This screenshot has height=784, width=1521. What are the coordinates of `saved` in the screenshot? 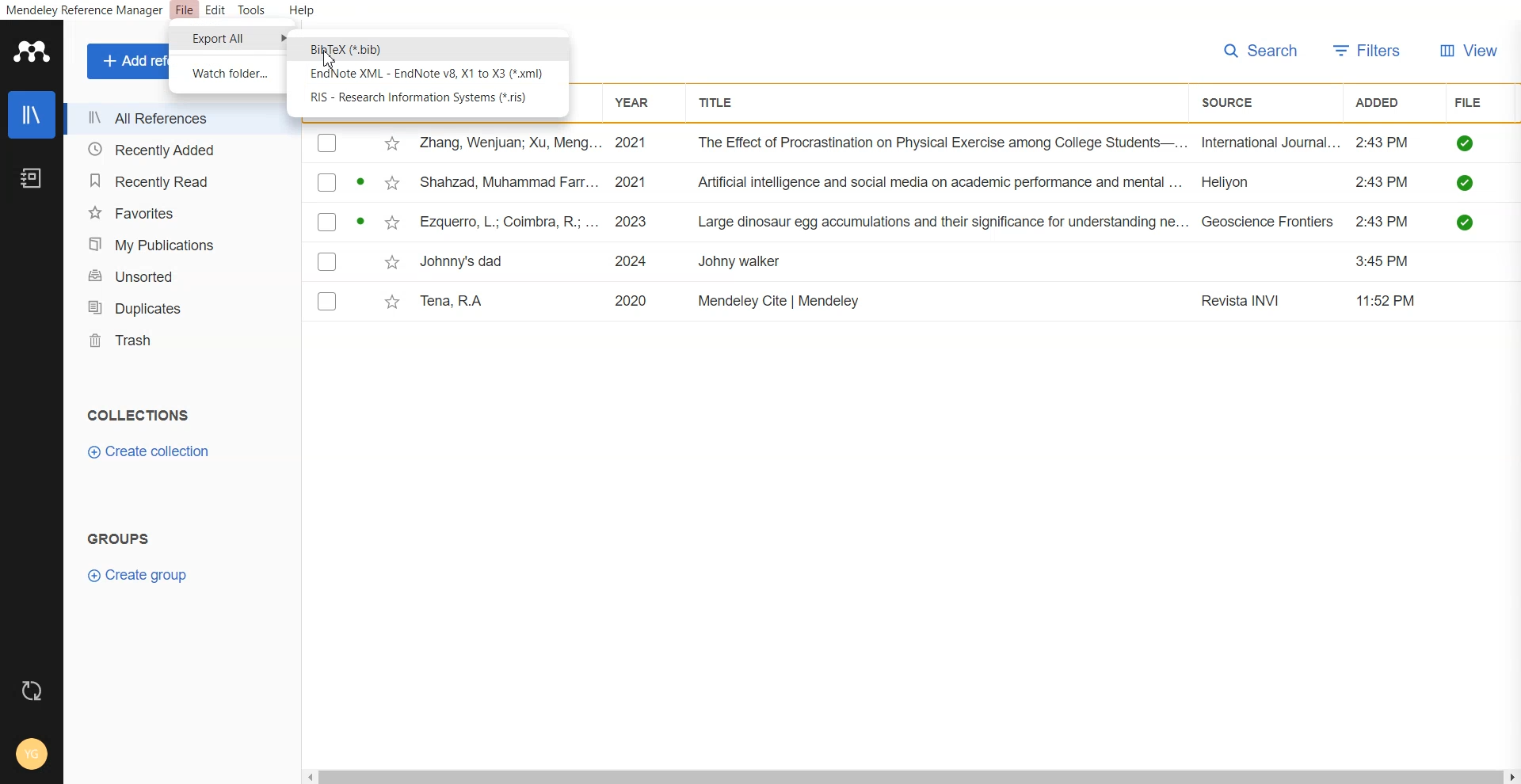 It's located at (1467, 222).